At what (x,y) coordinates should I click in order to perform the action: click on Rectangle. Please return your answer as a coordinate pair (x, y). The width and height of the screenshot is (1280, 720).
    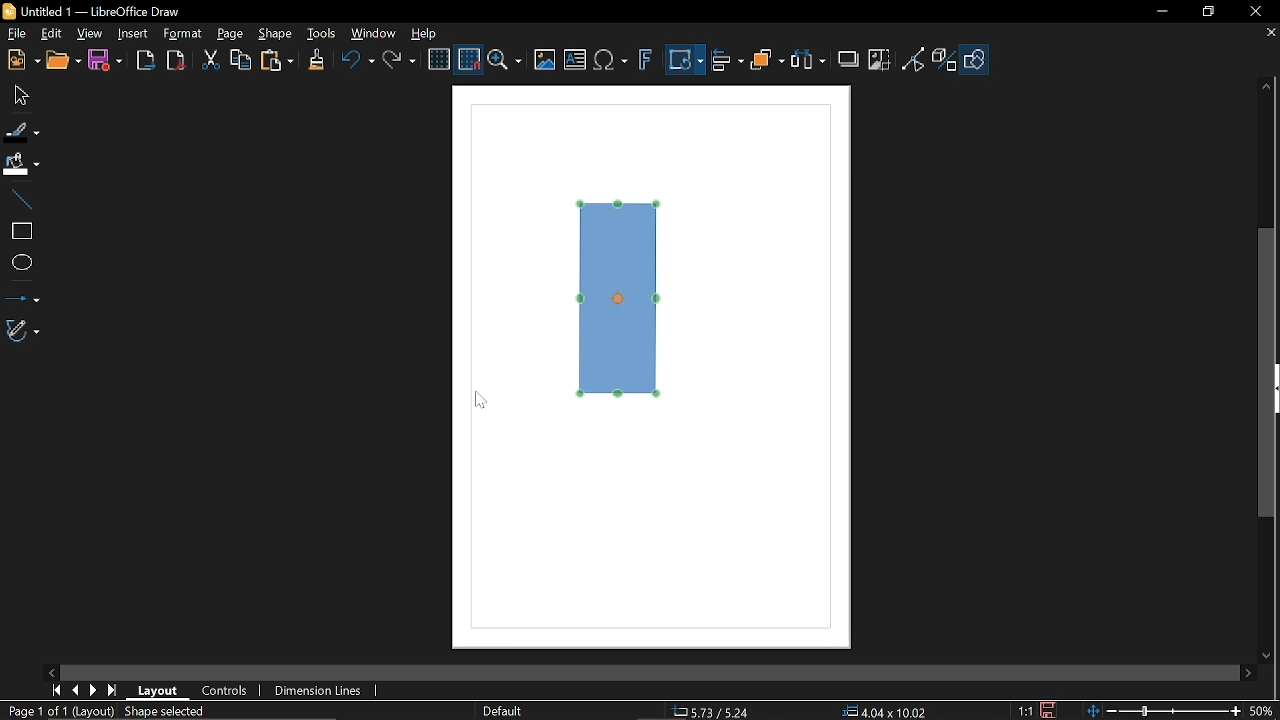
    Looking at the image, I should click on (20, 231).